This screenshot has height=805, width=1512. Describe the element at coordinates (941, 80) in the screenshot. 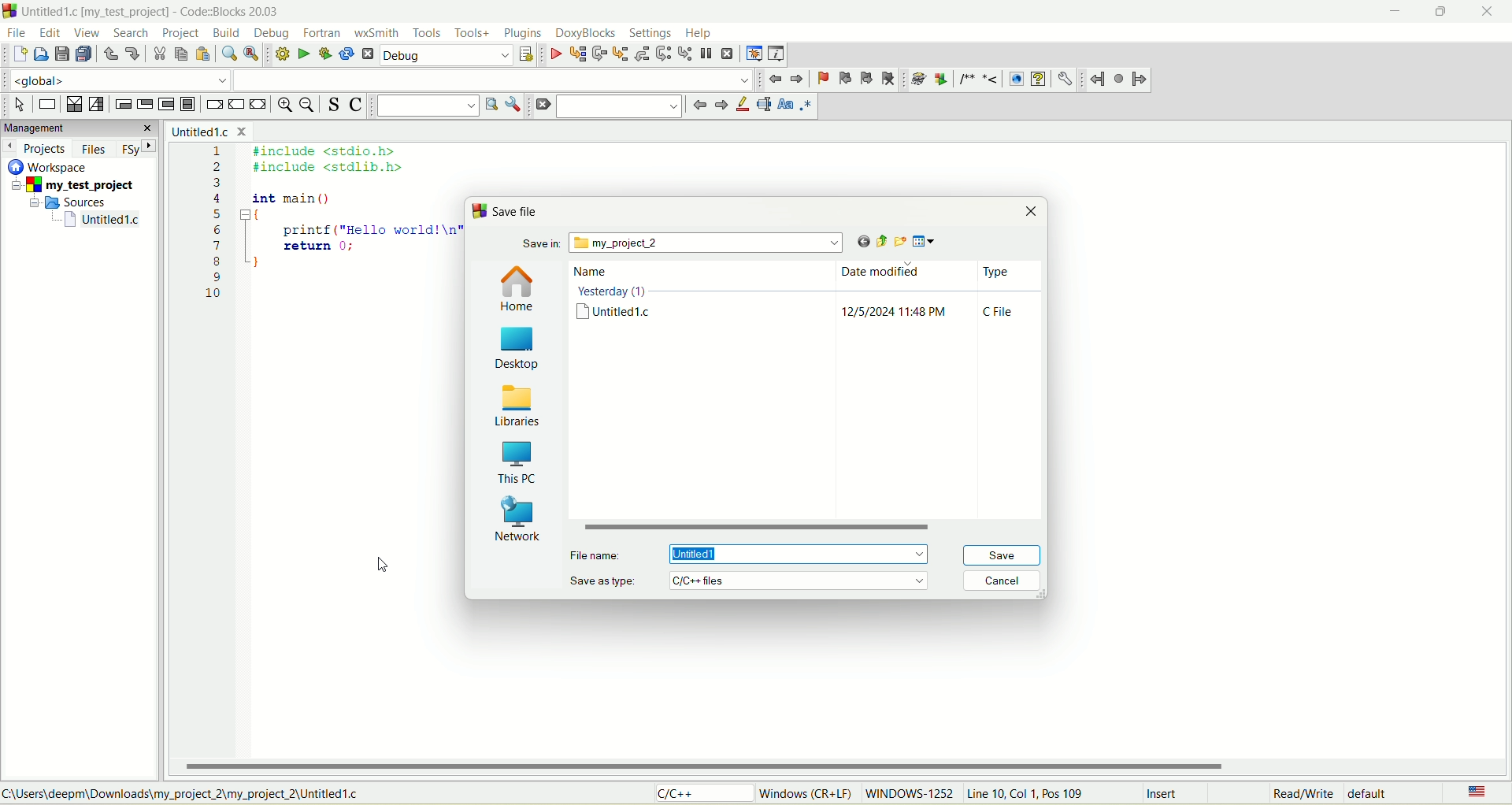

I see `extract documentation` at that location.